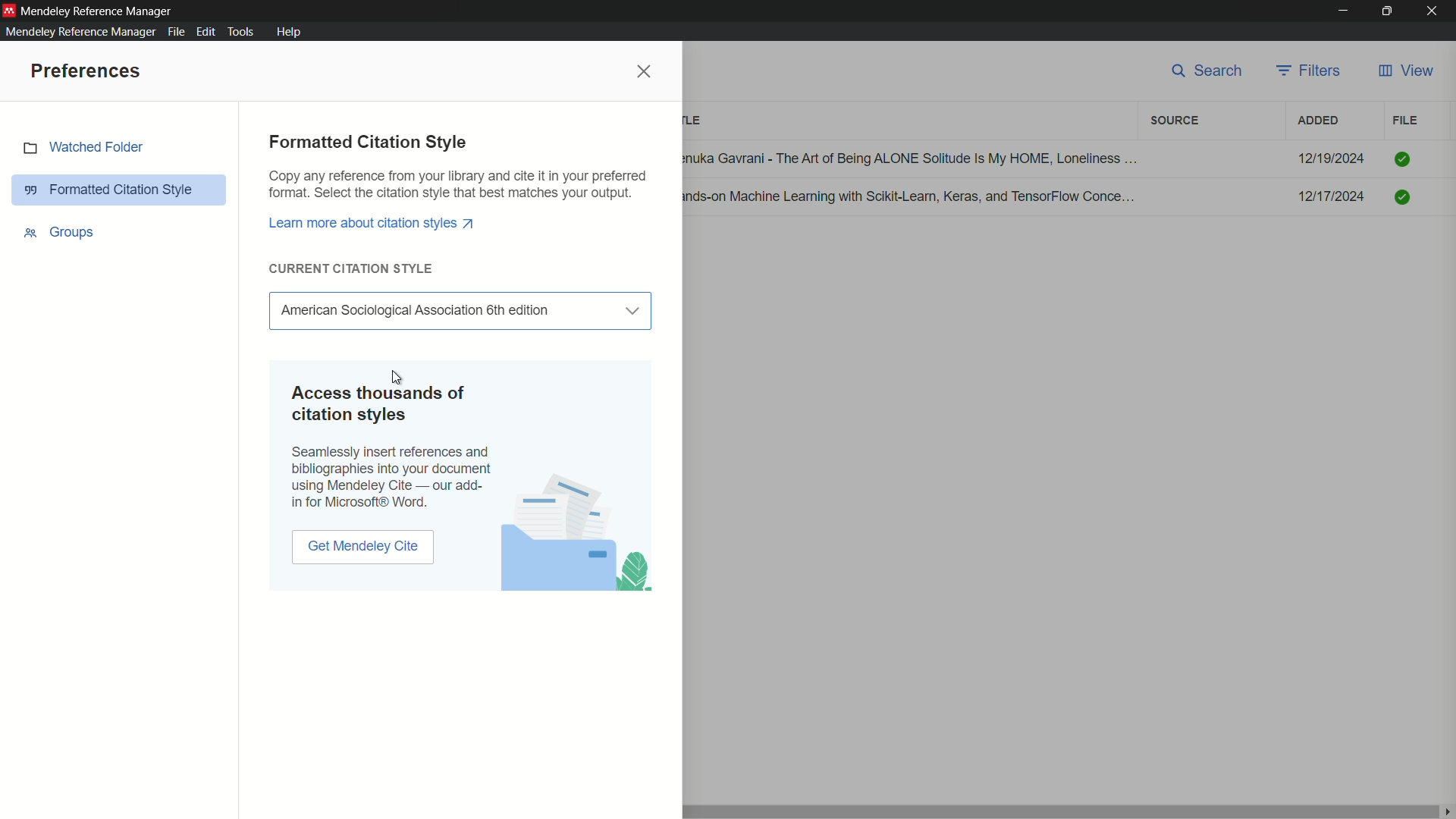  I want to click on Checked, so click(1402, 159).